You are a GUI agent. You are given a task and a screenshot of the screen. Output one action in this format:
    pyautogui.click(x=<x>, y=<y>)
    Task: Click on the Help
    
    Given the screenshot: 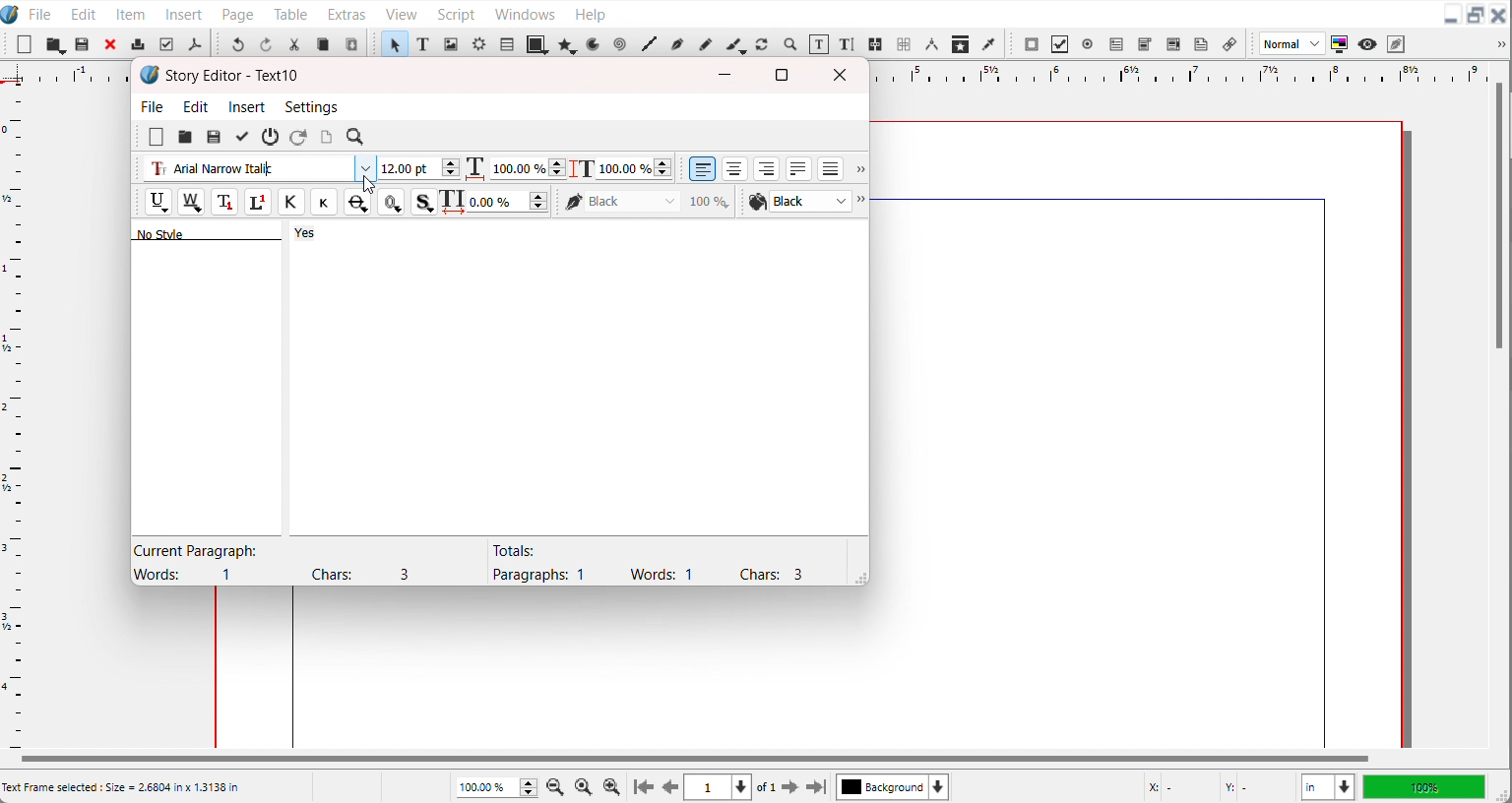 What is the action you would take?
    pyautogui.click(x=590, y=13)
    